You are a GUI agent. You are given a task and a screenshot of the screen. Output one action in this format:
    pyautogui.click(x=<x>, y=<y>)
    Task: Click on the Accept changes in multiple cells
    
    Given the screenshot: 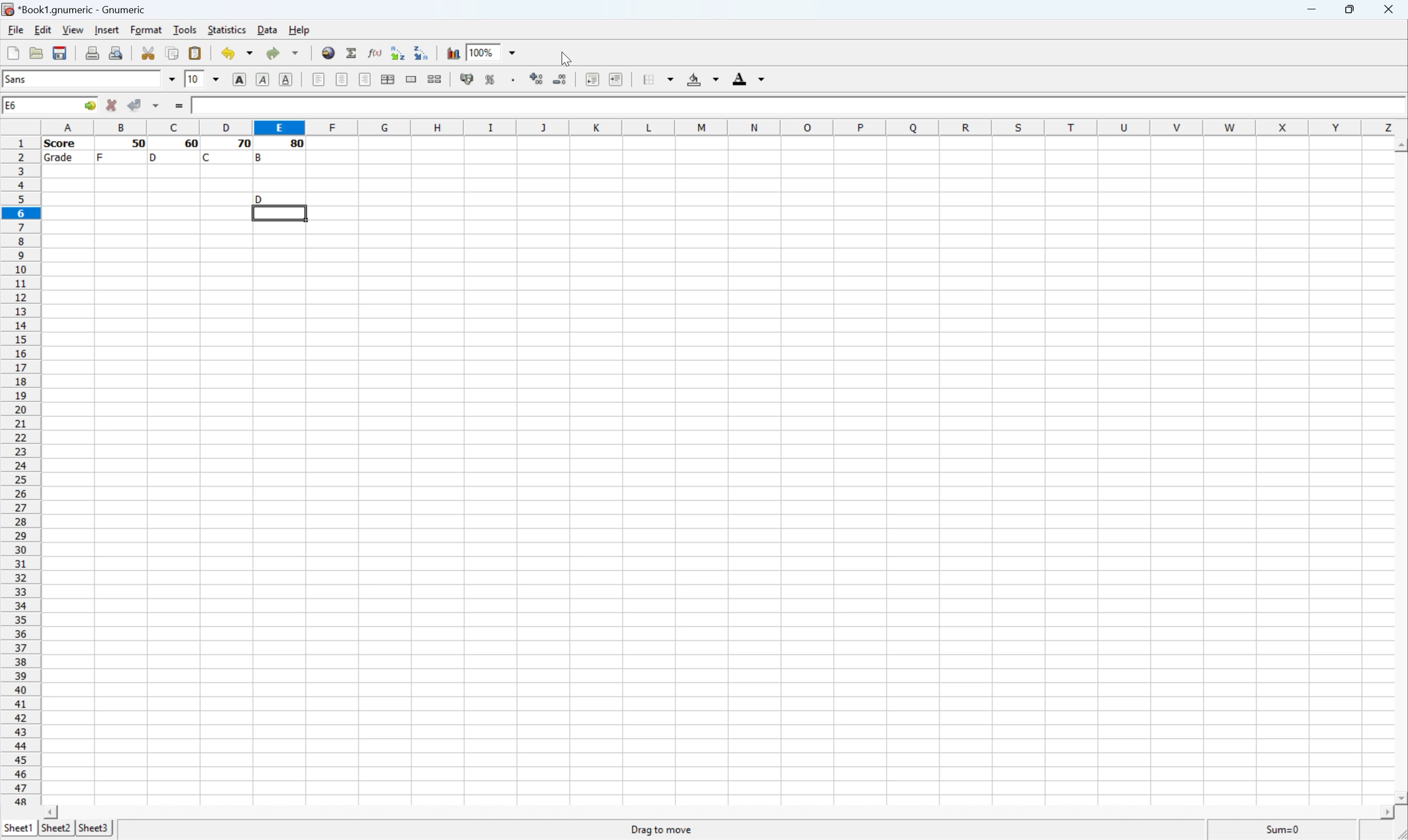 What is the action you would take?
    pyautogui.click(x=159, y=108)
    